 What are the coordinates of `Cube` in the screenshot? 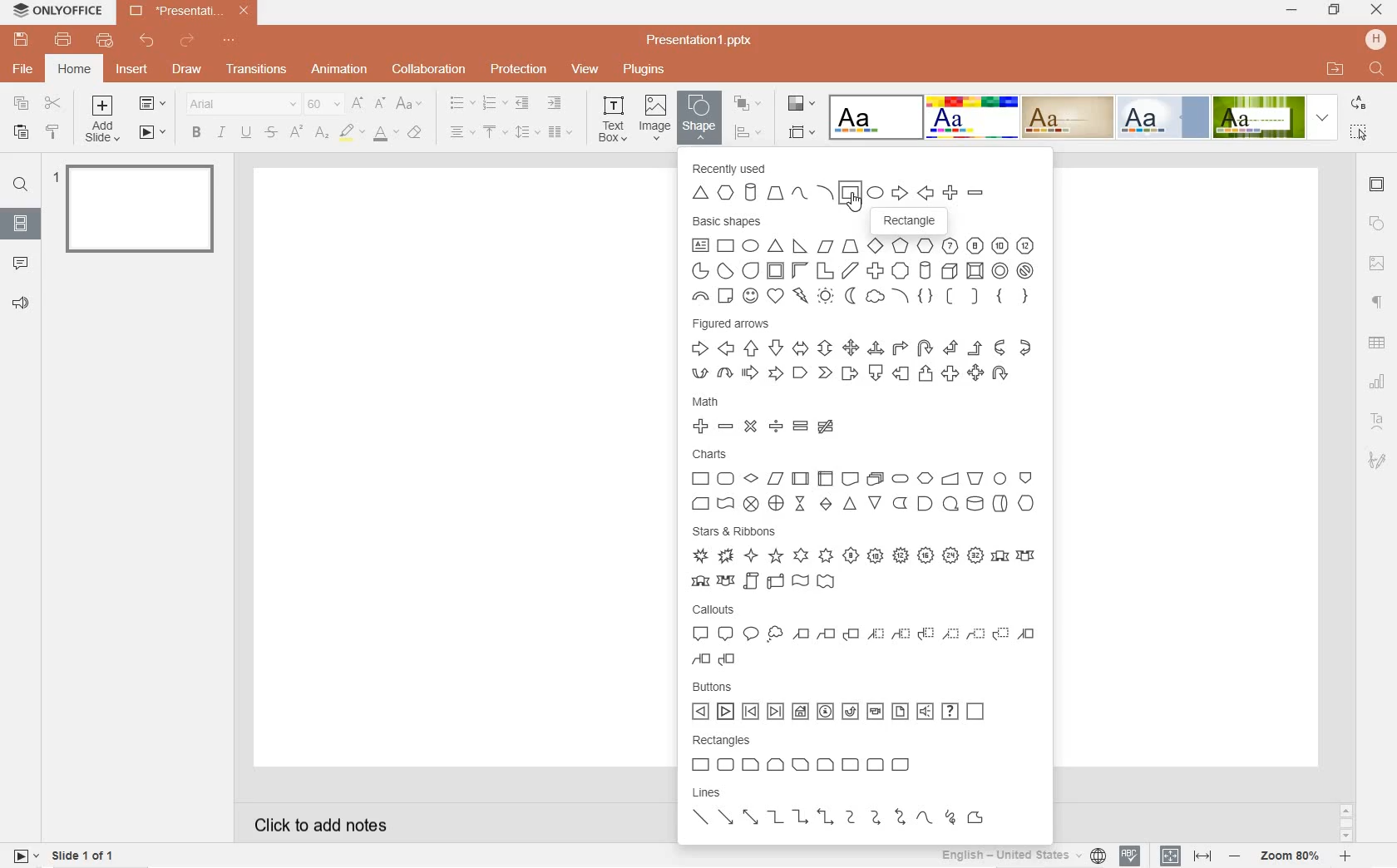 It's located at (949, 272).